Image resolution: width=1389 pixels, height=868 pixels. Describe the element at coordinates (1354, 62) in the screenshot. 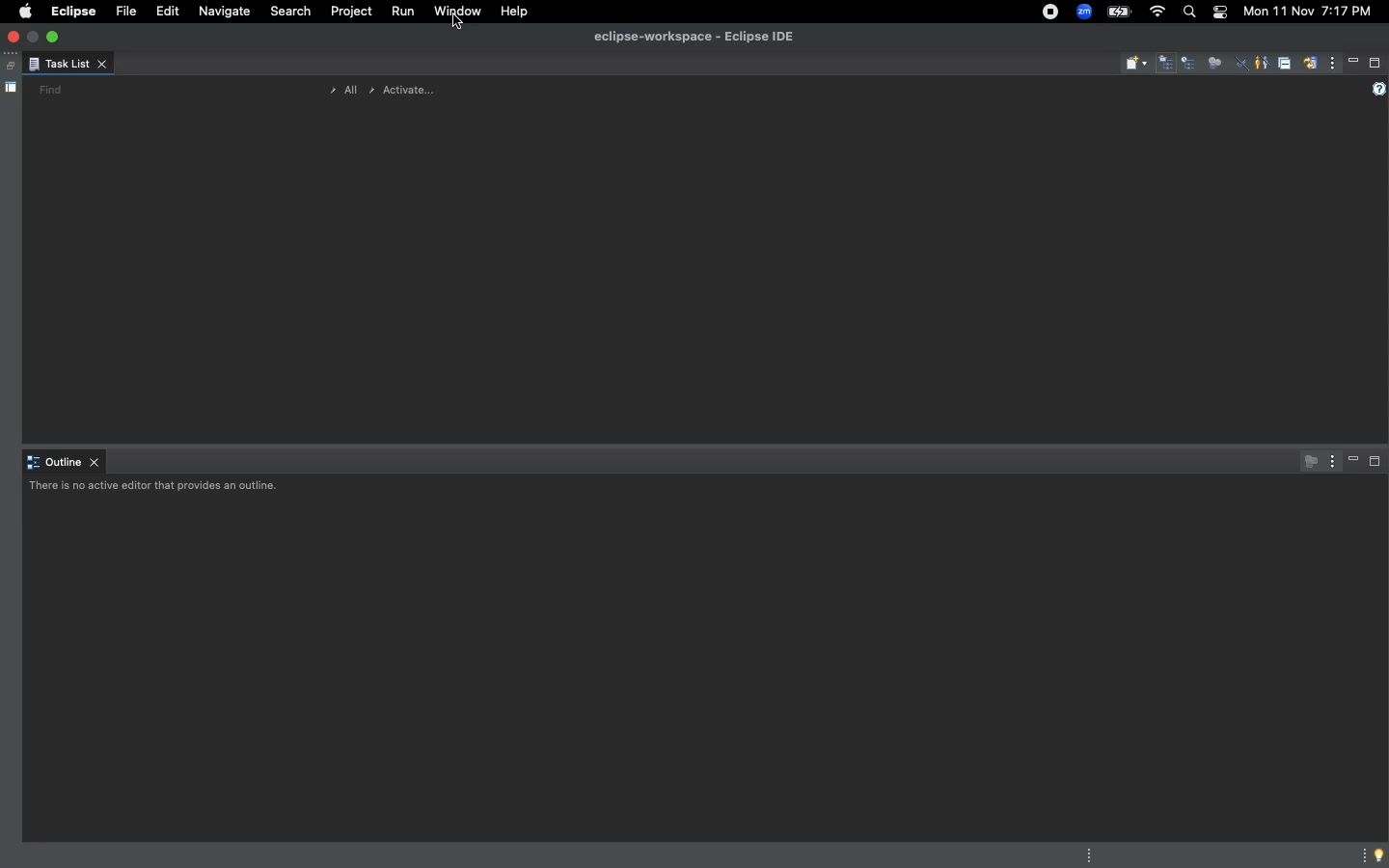

I see `Minimize` at that location.